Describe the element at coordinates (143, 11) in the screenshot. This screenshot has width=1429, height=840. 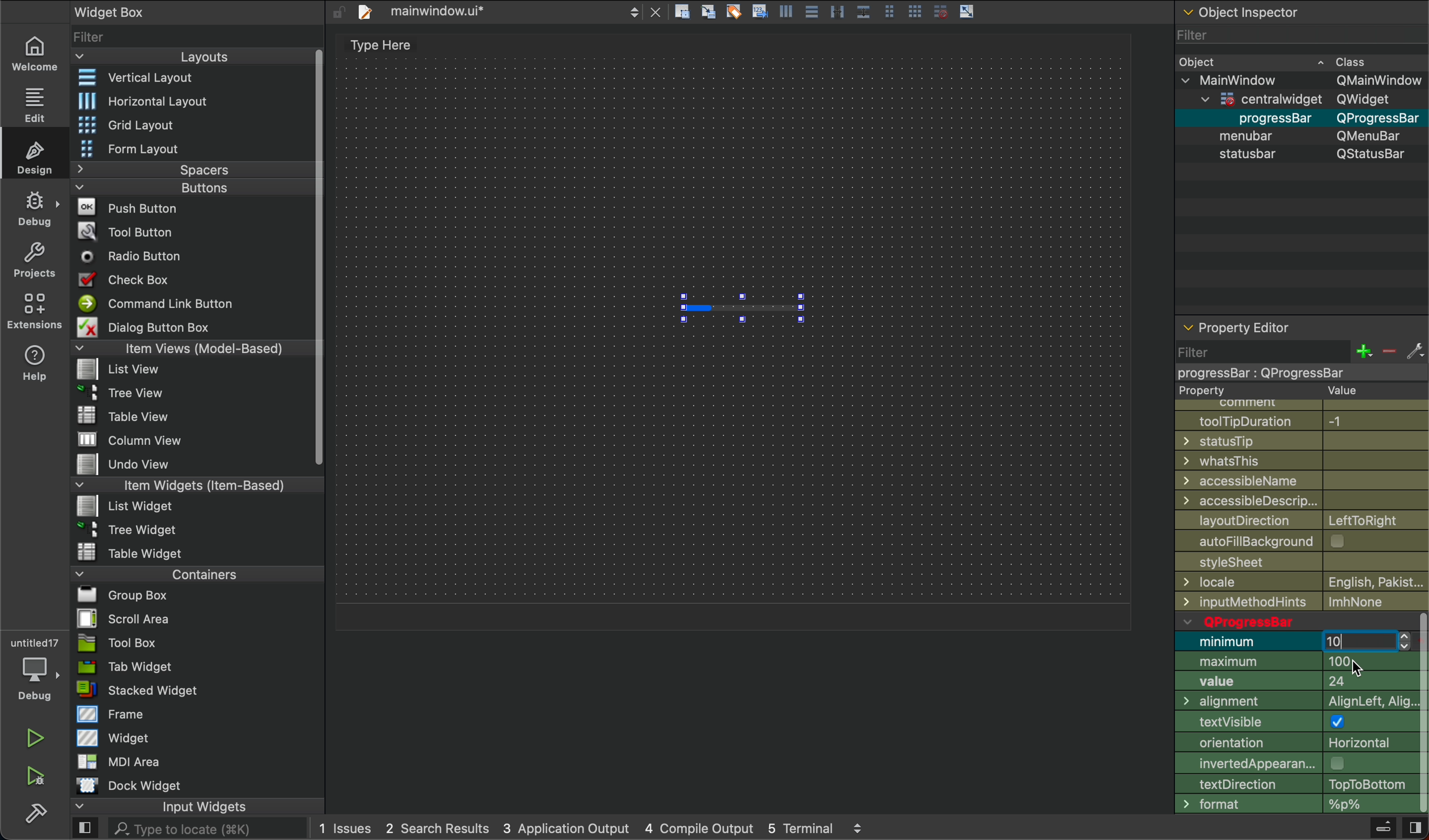
I see `widget box` at that location.